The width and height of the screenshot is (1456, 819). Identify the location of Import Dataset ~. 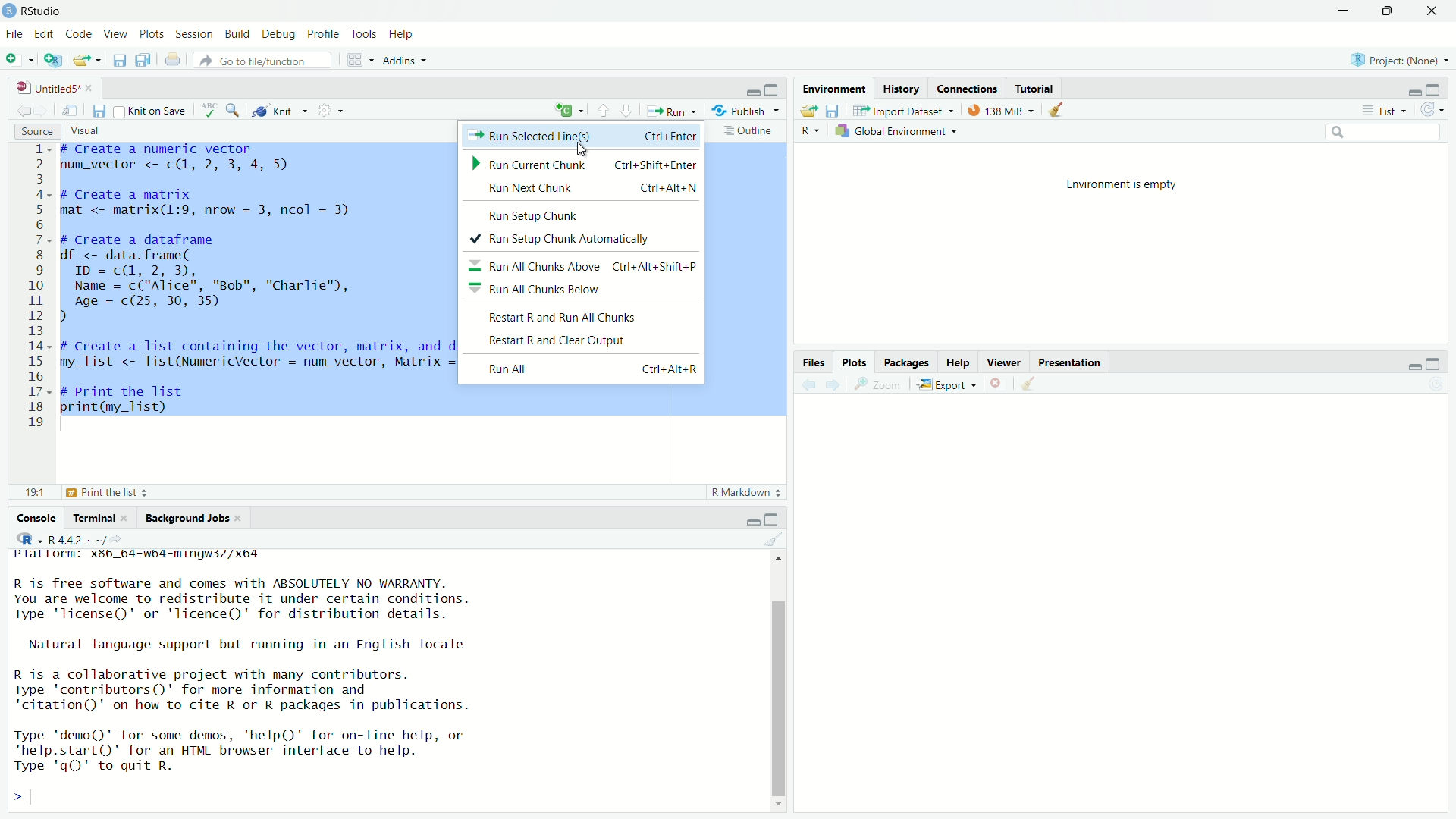
(903, 111).